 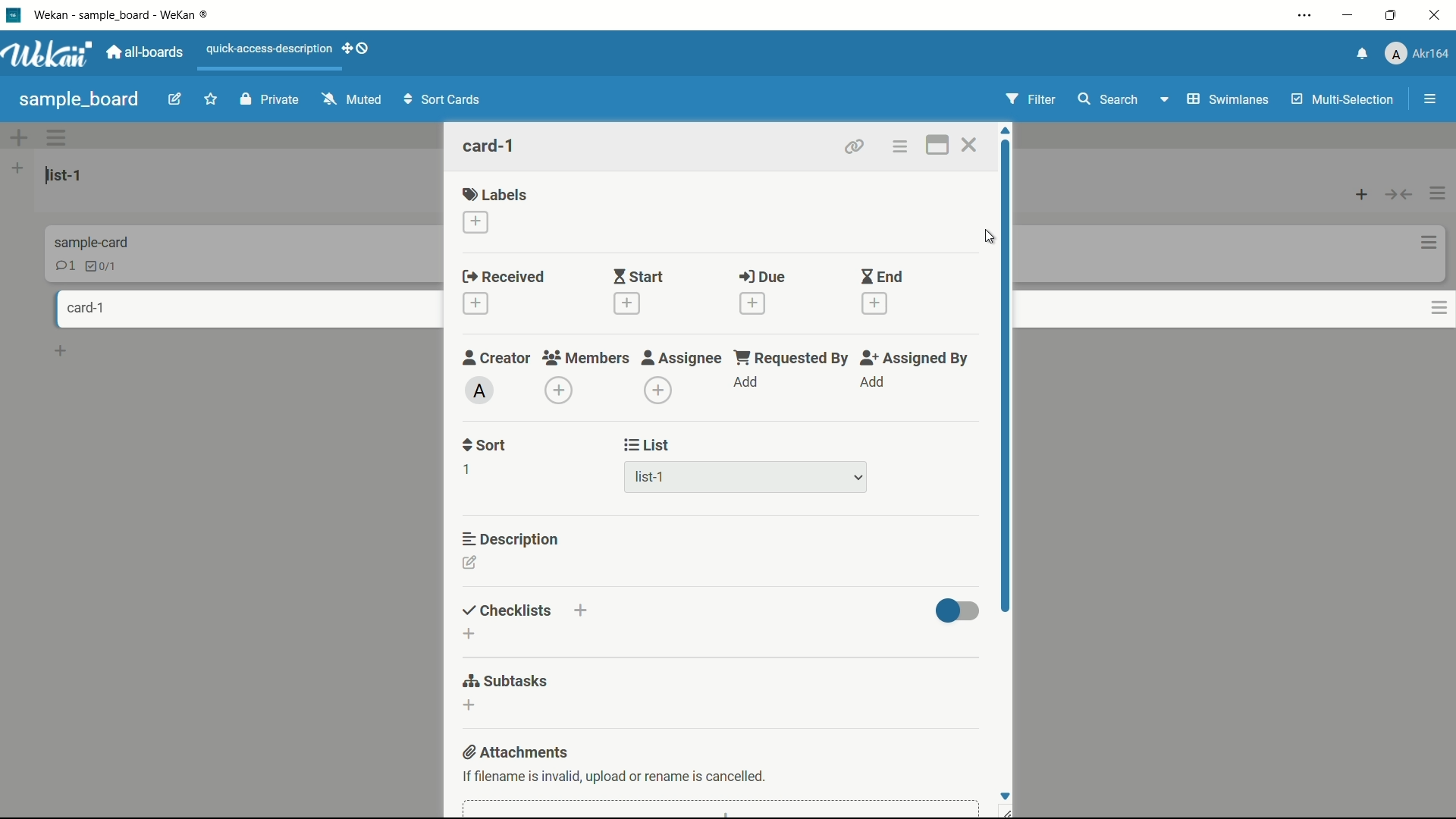 I want to click on filter, so click(x=1030, y=100).